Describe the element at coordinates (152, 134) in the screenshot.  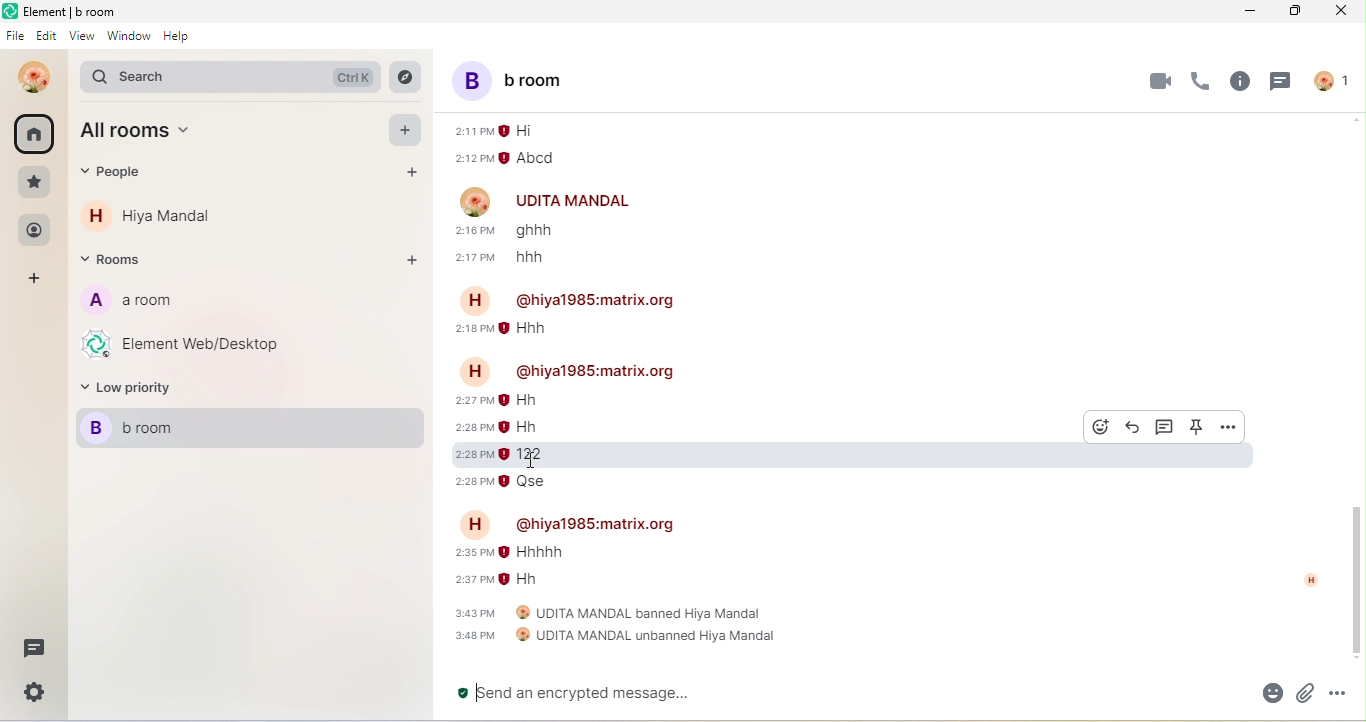
I see `all room` at that location.